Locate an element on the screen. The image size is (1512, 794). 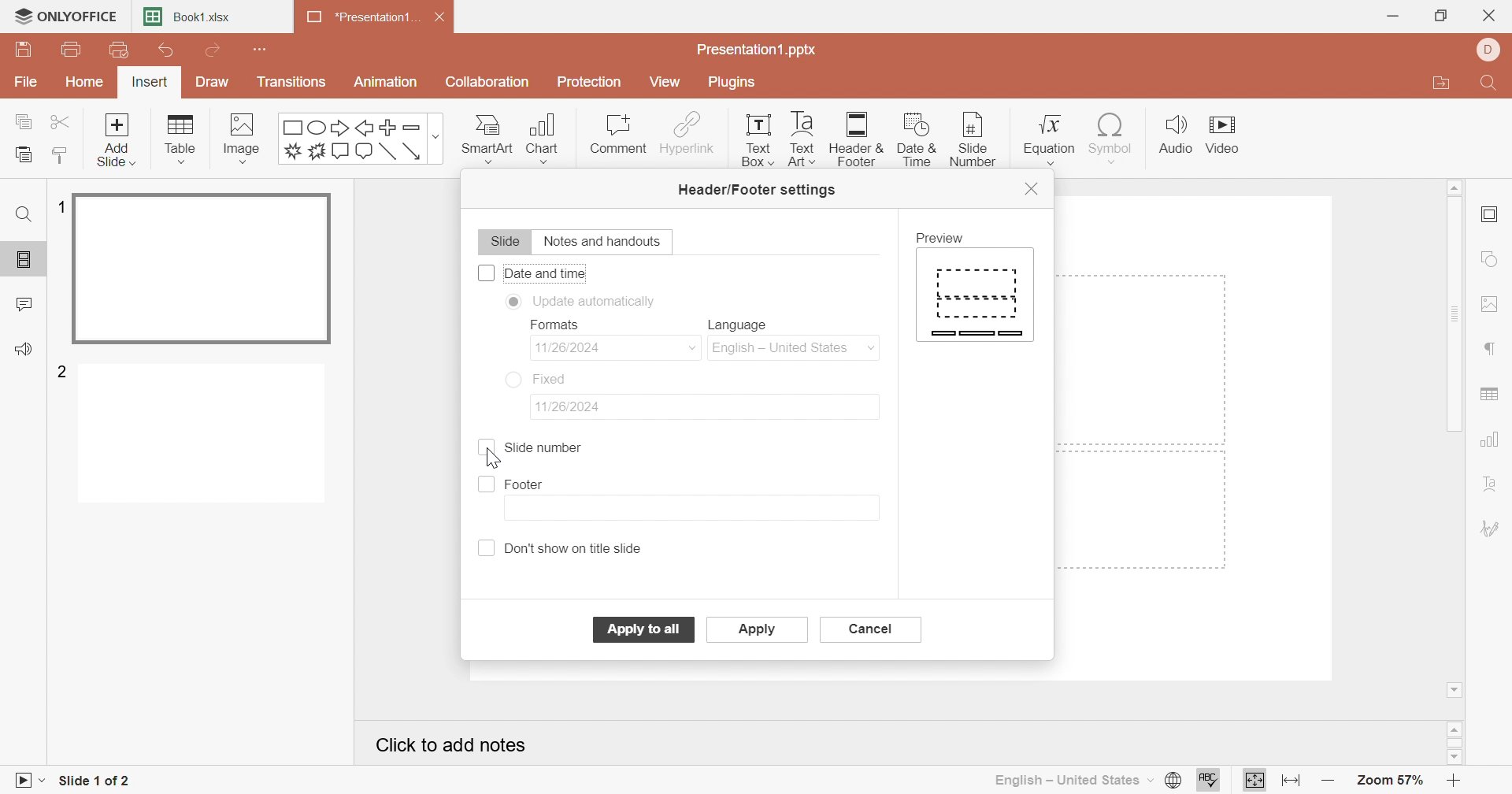
11/26/2024 is located at coordinates (582, 347).